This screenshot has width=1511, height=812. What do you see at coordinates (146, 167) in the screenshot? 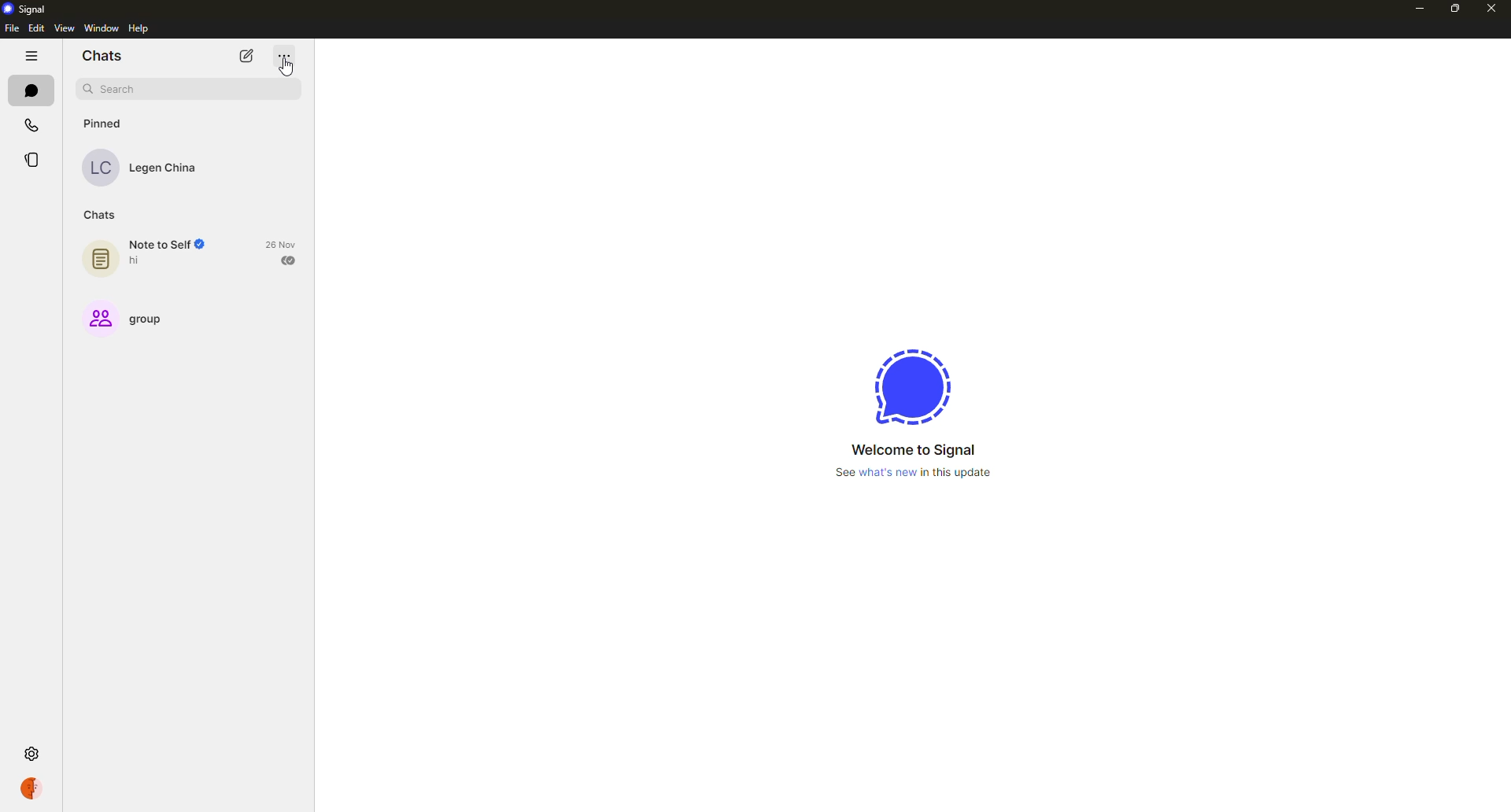
I see `contact` at bounding box center [146, 167].